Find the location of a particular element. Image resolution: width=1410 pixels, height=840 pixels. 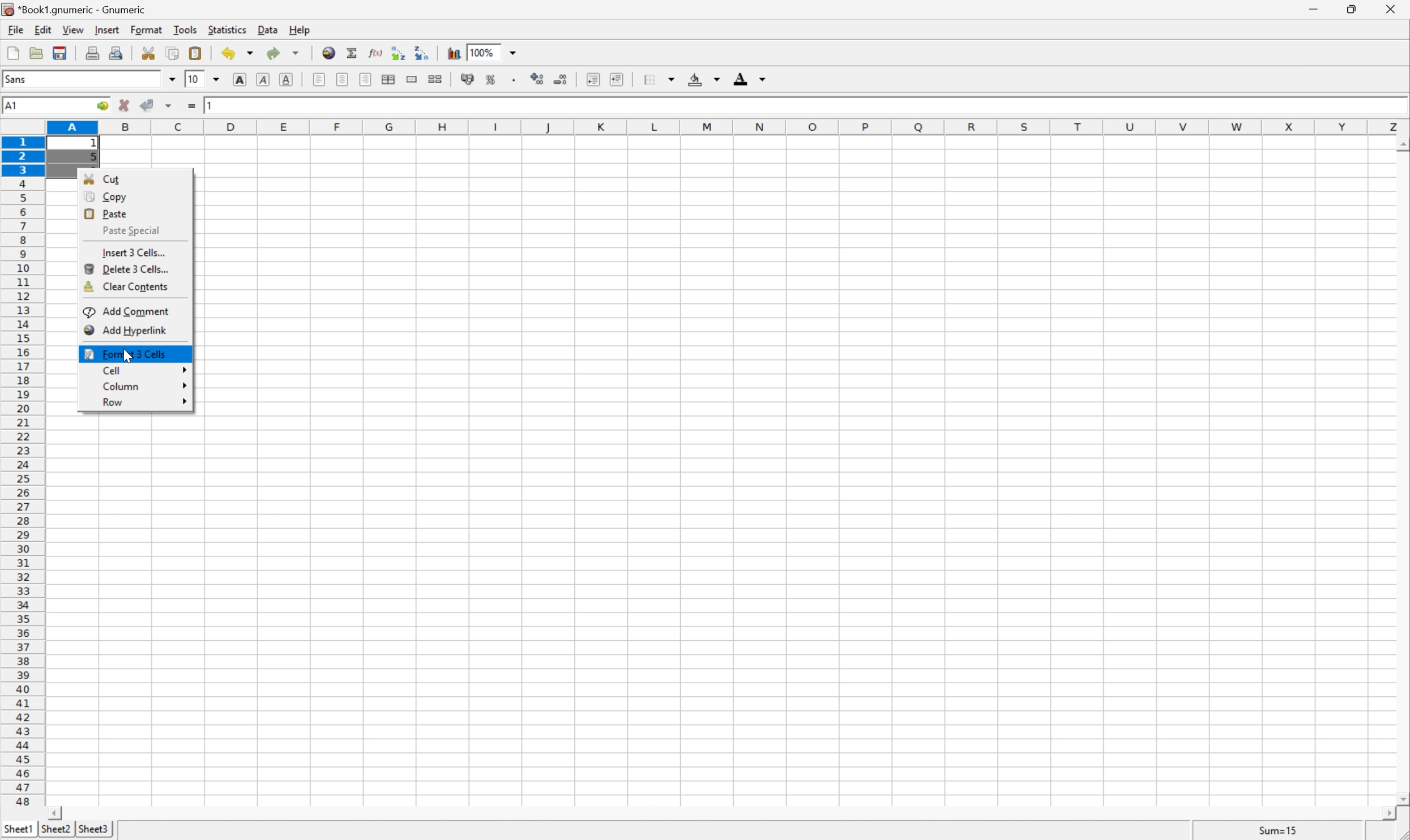

scroll right is located at coordinates (1388, 814).